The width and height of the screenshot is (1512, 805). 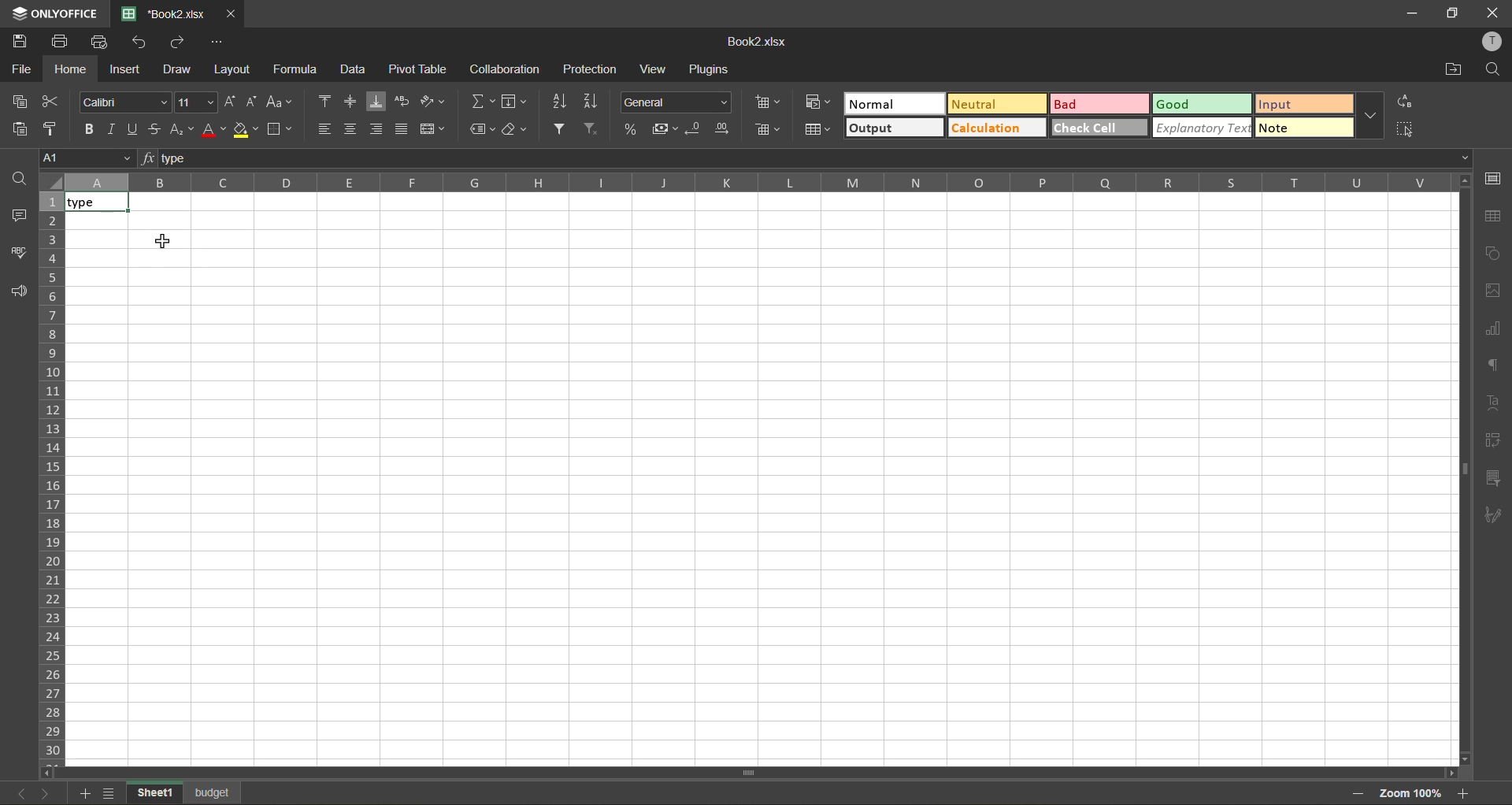 I want to click on font color, so click(x=214, y=130).